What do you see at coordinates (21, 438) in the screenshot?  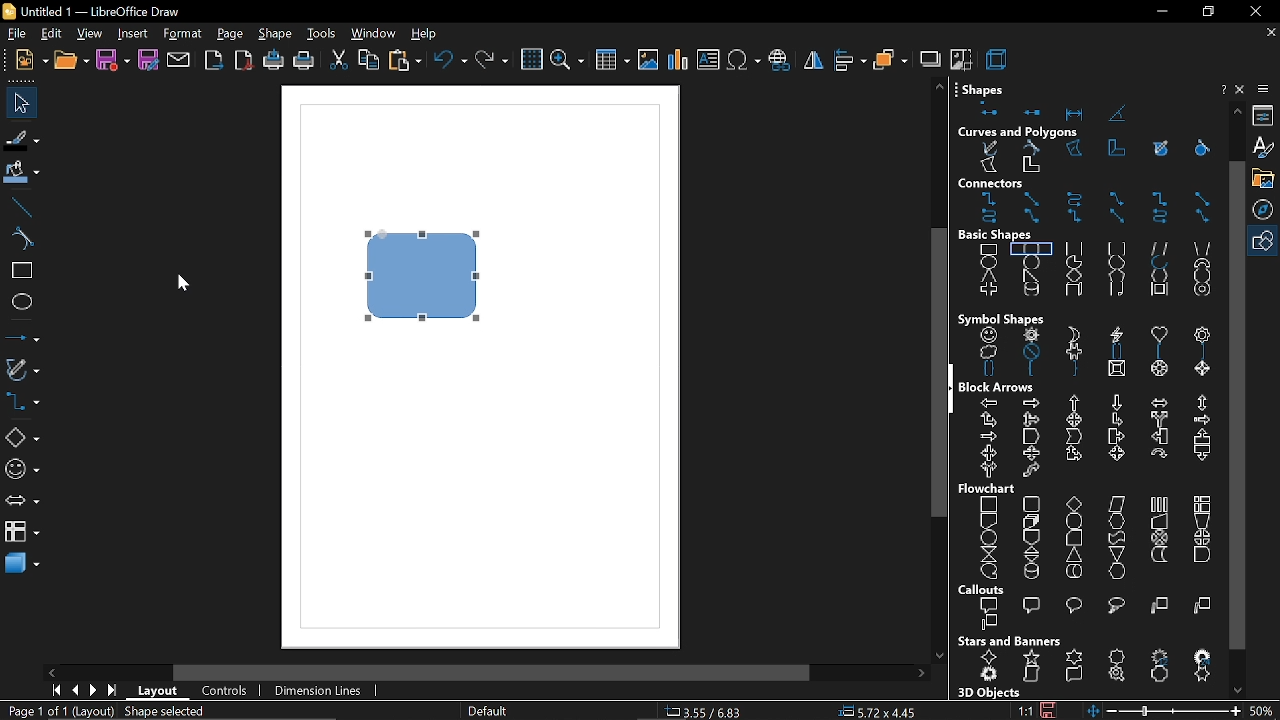 I see `basic shapes` at bounding box center [21, 438].